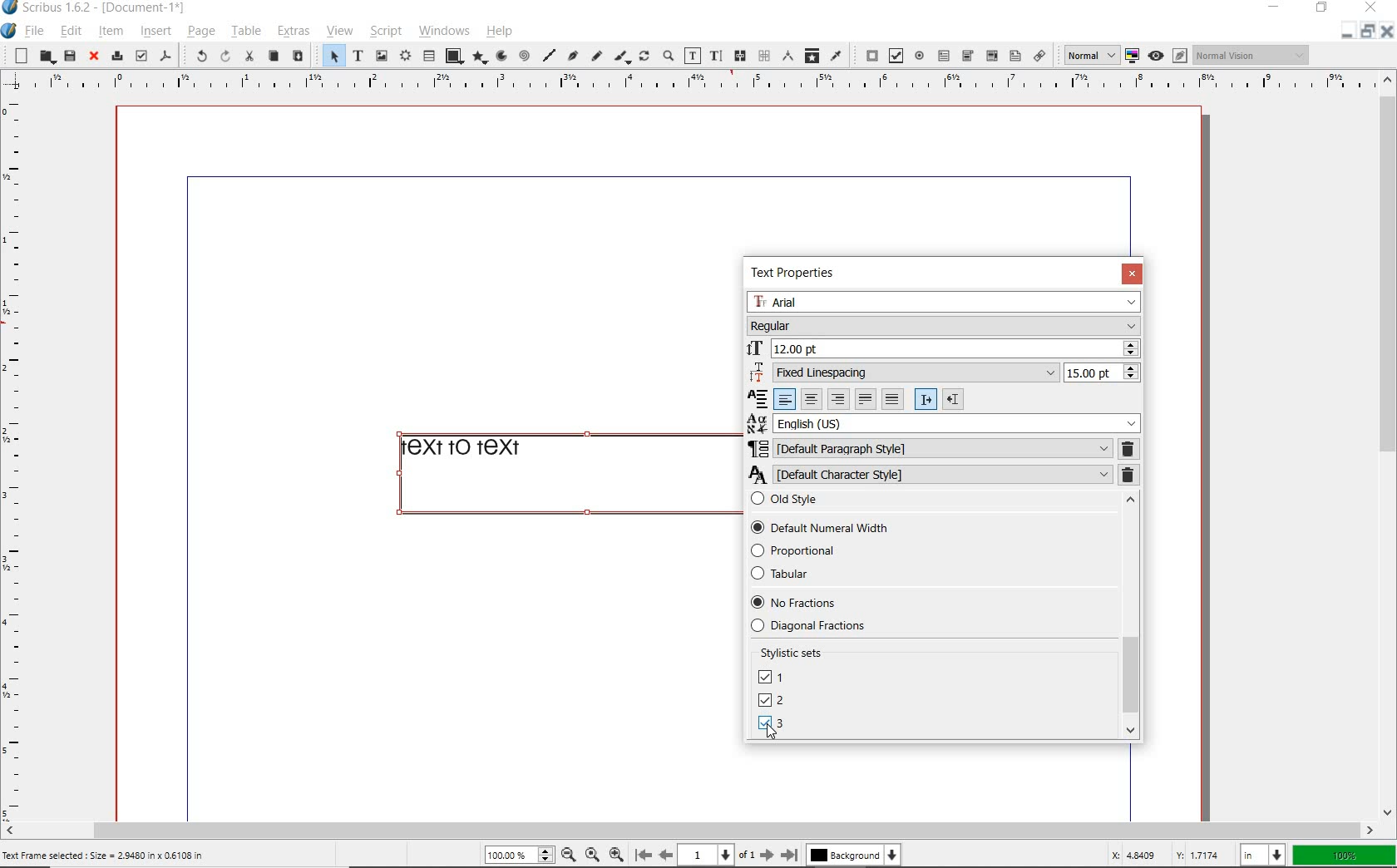 Image resolution: width=1397 pixels, height=868 pixels. Describe the element at coordinates (46, 57) in the screenshot. I see `open` at that location.